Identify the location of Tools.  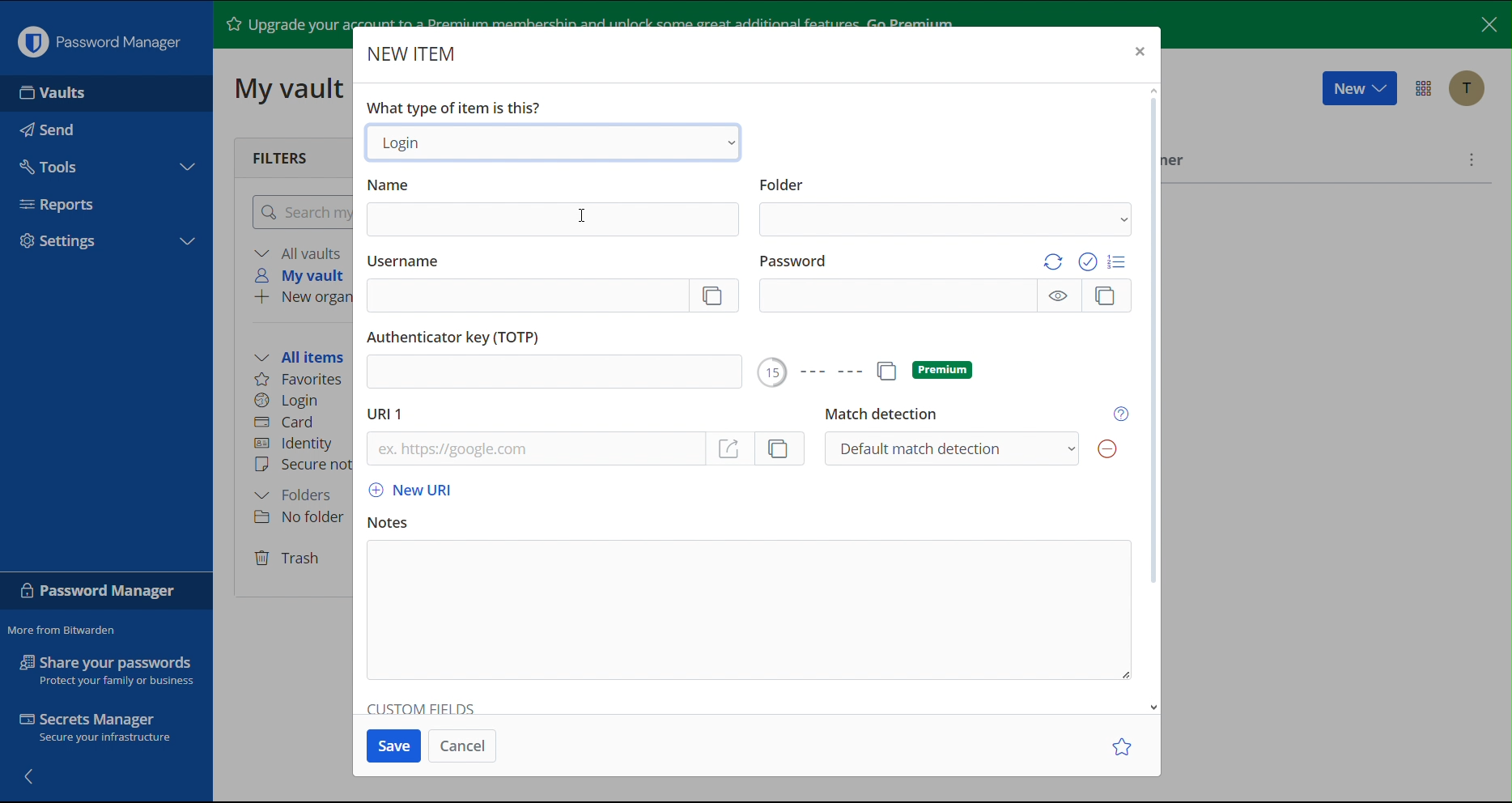
(102, 164).